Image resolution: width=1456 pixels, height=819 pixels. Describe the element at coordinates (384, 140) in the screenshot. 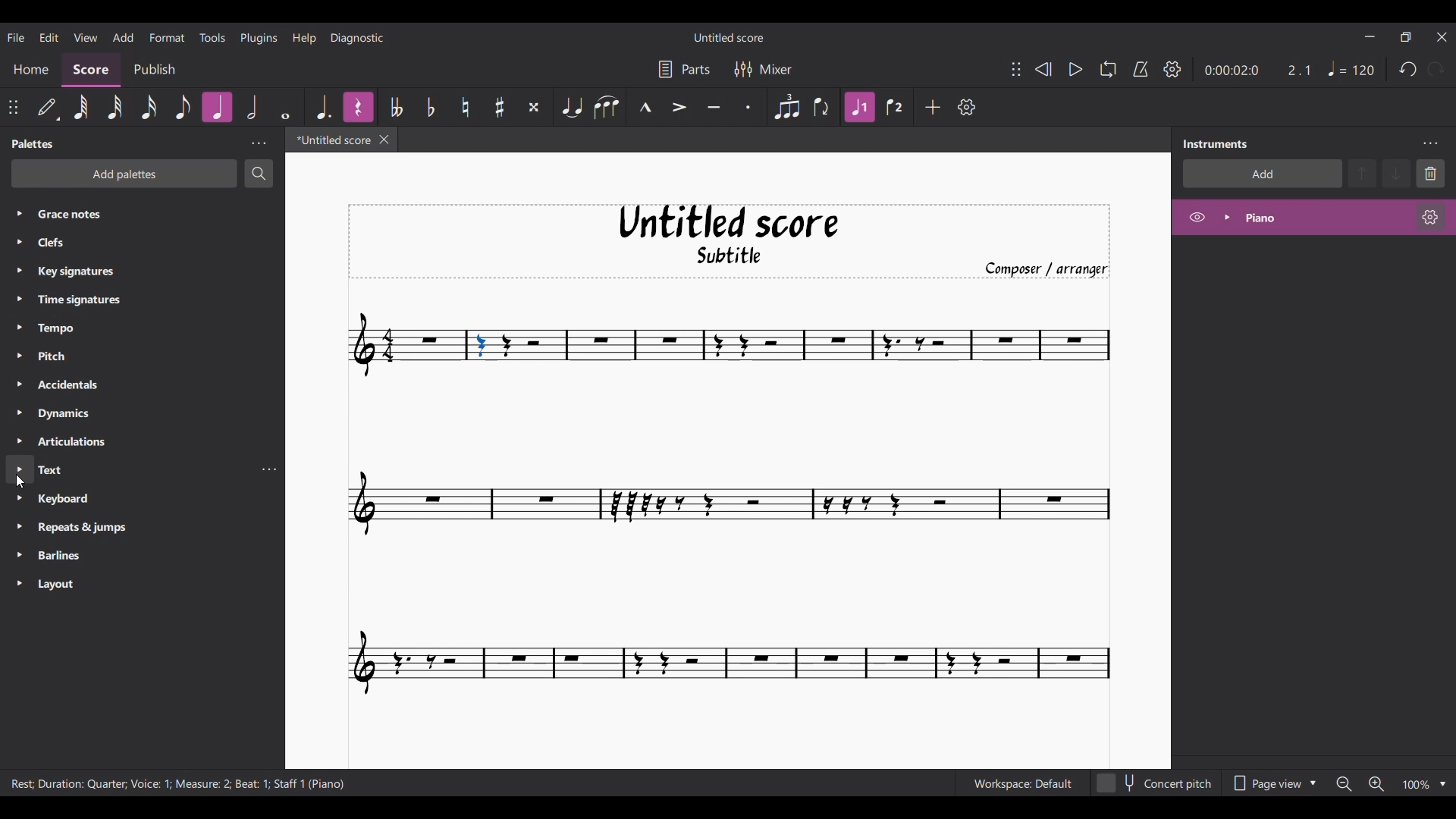

I see `Close tab` at that location.